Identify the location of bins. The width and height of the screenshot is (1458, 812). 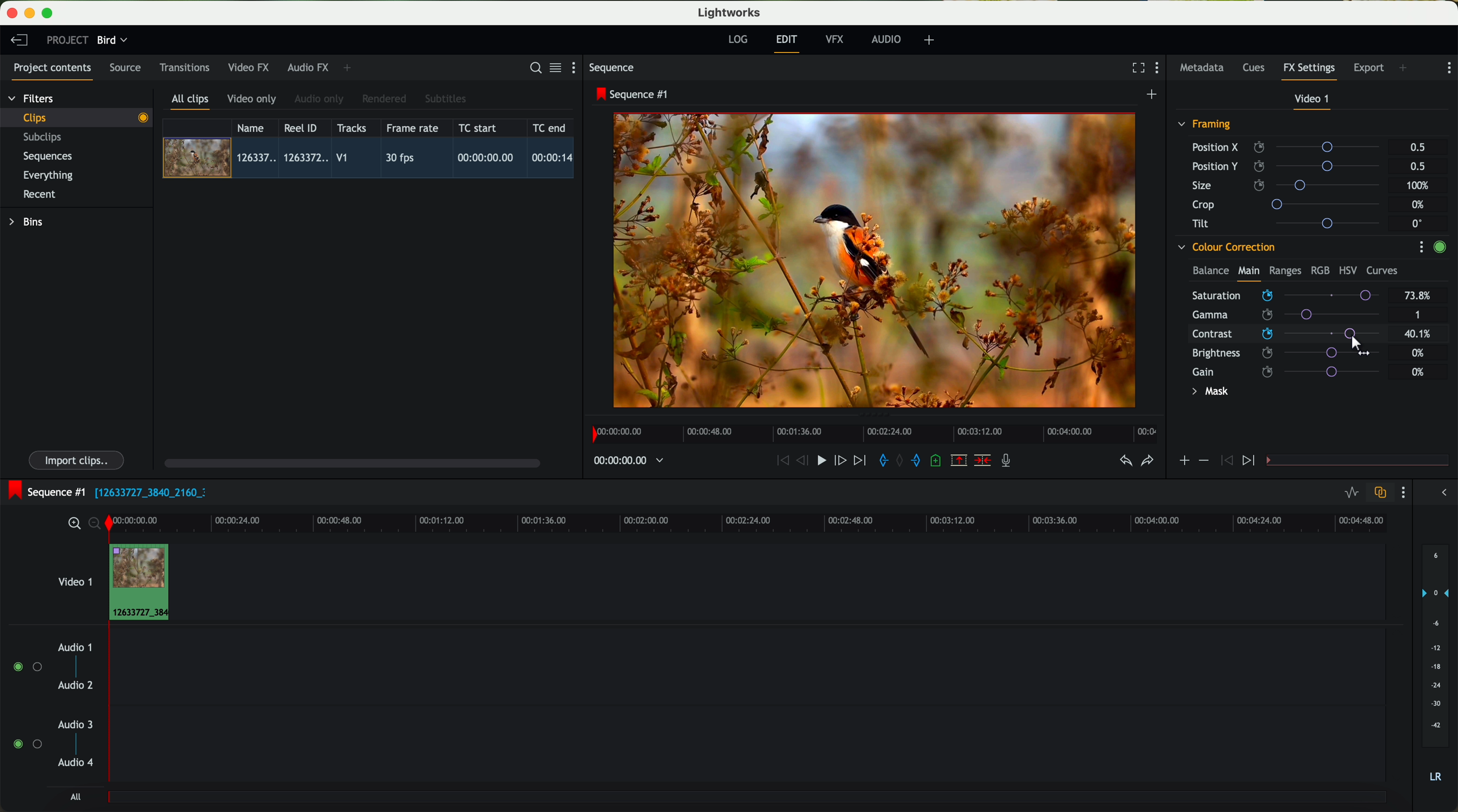
(28, 222).